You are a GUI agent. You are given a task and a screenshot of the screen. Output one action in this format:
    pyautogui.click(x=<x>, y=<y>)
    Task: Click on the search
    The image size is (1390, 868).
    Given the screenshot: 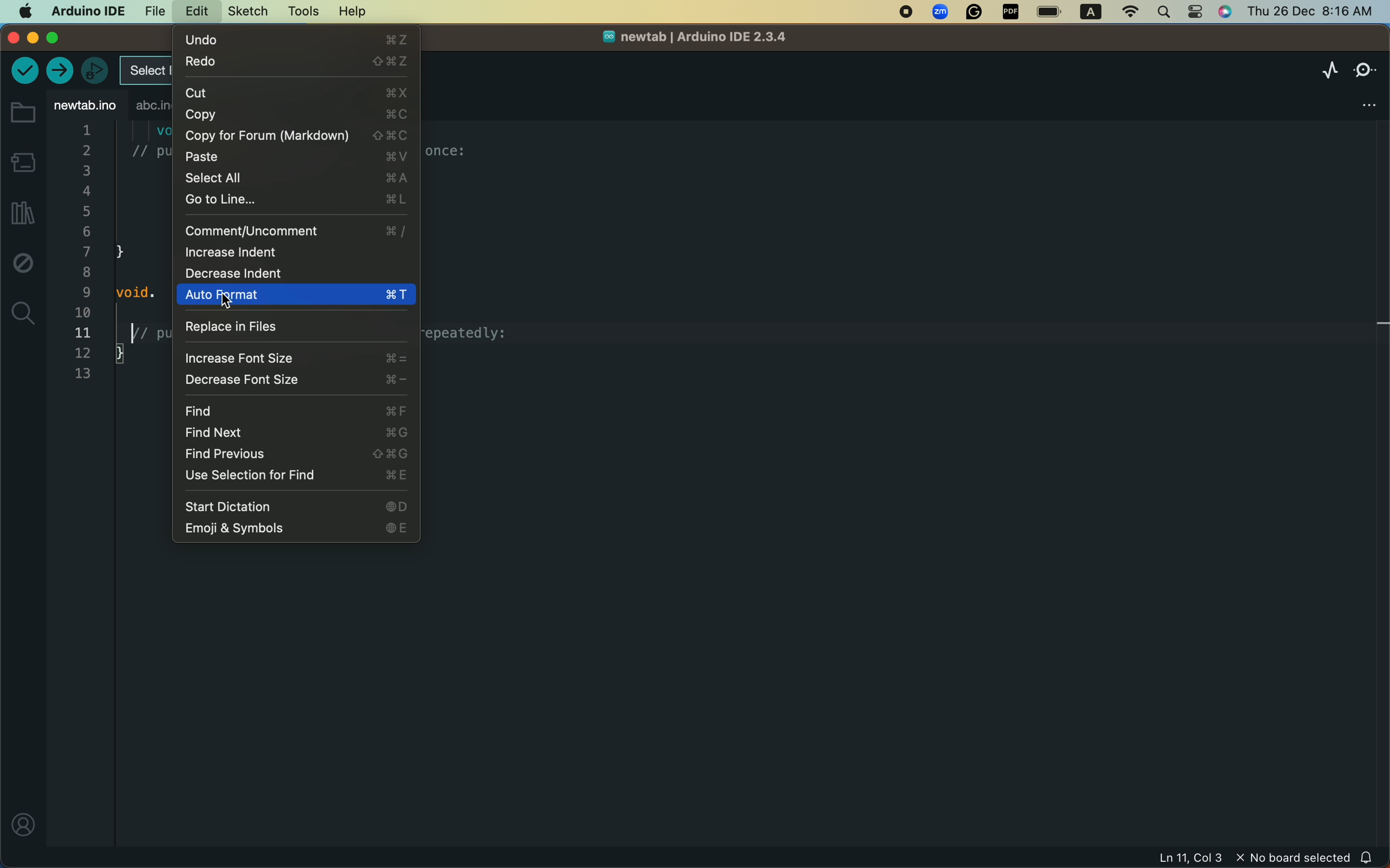 What is the action you would take?
    pyautogui.click(x=24, y=313)
    